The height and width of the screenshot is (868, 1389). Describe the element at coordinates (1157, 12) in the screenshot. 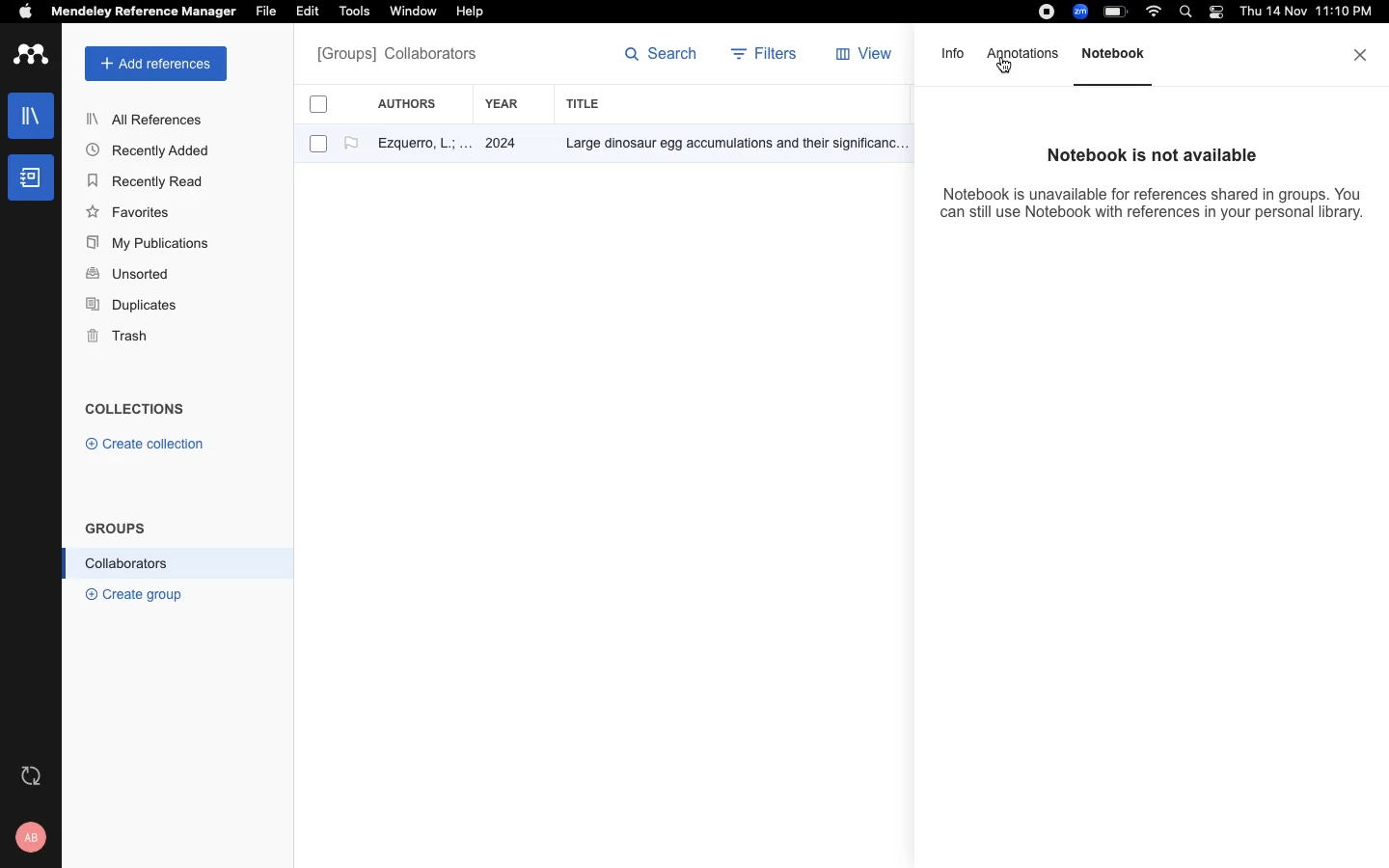

I see `wifi` at that location.